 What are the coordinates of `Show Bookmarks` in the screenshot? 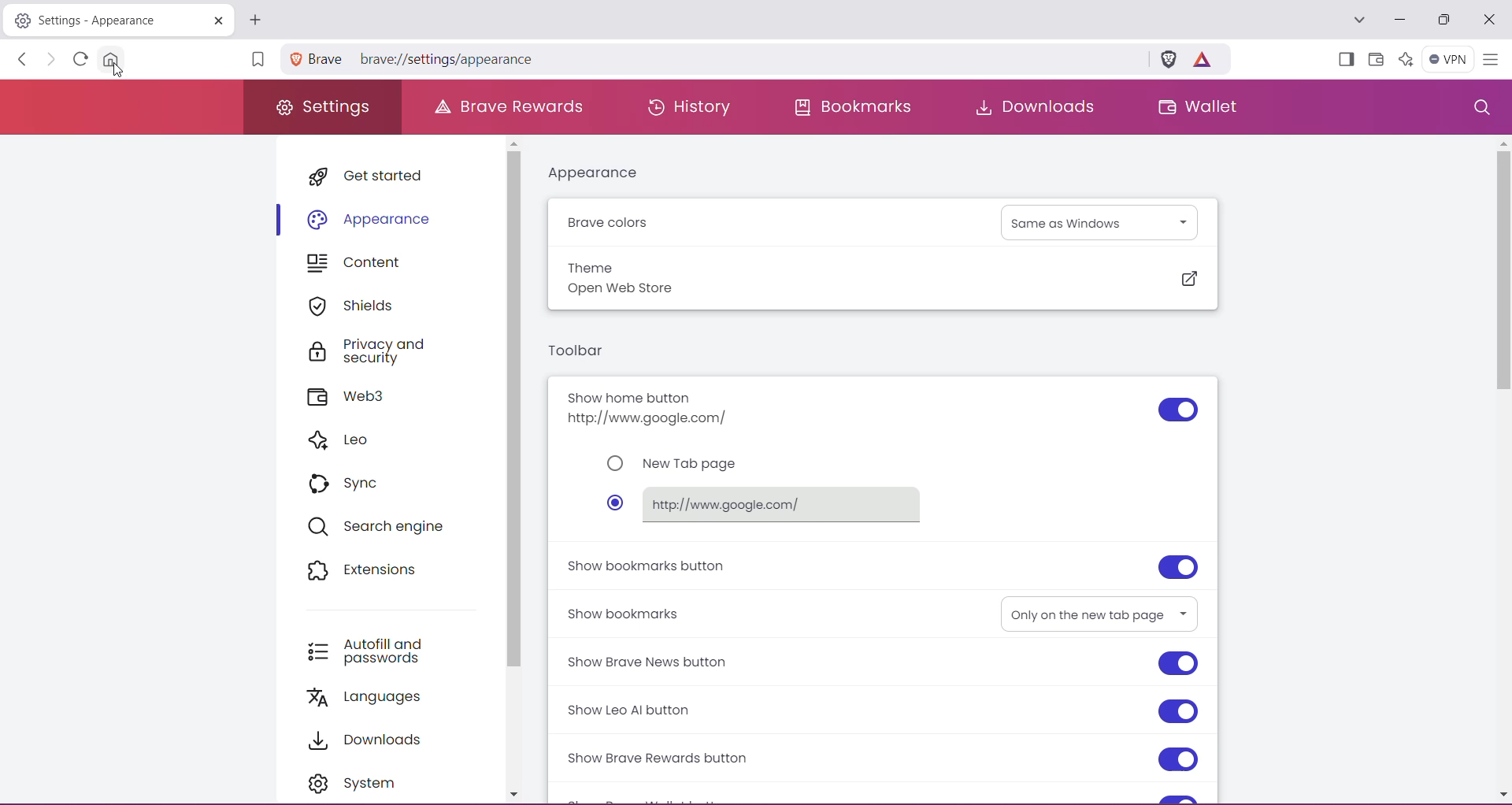 It's located at (626, 612).